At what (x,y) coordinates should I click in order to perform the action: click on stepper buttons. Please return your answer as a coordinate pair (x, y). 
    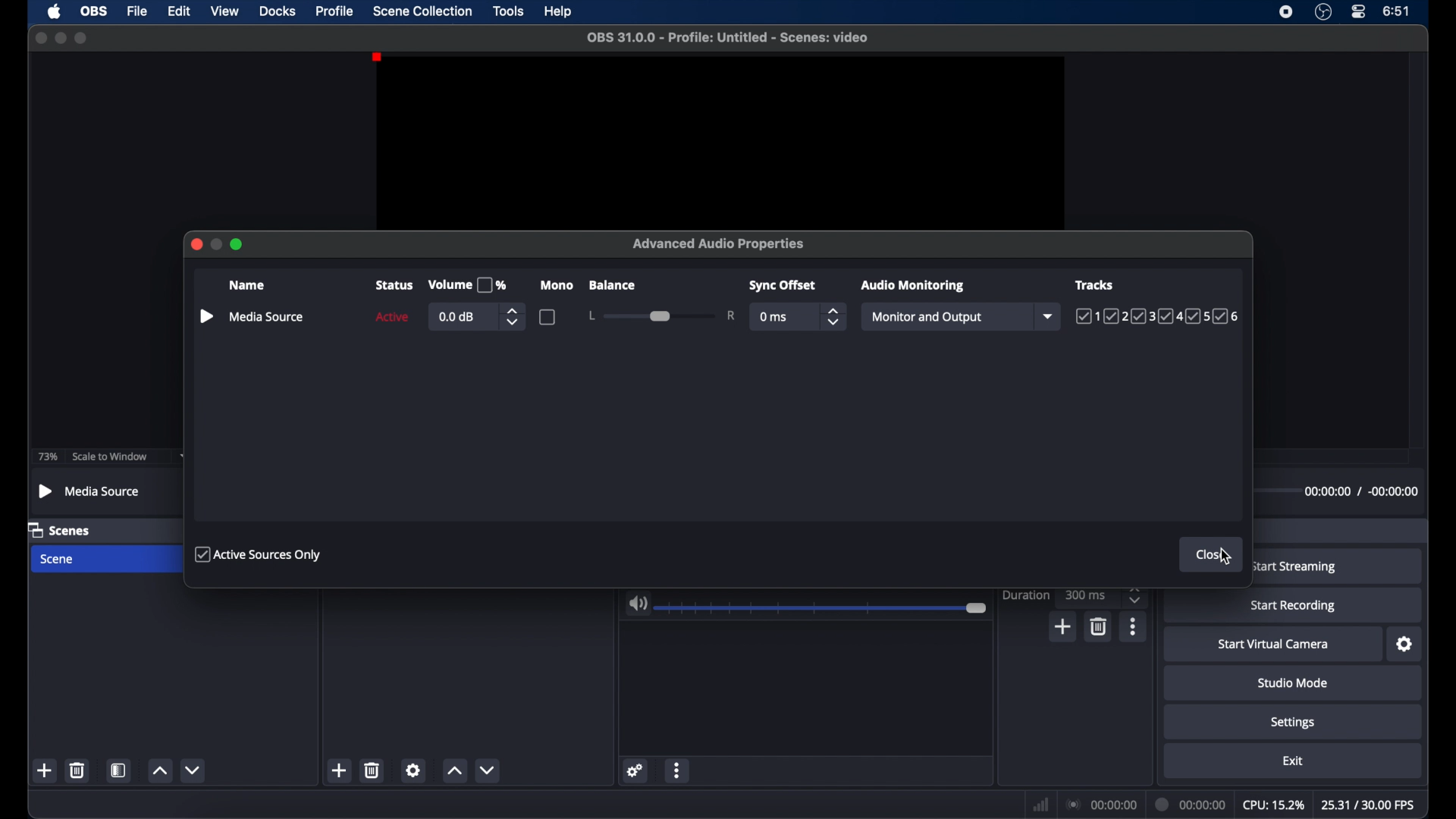
    Looking at the image, I should click on (513, 317).